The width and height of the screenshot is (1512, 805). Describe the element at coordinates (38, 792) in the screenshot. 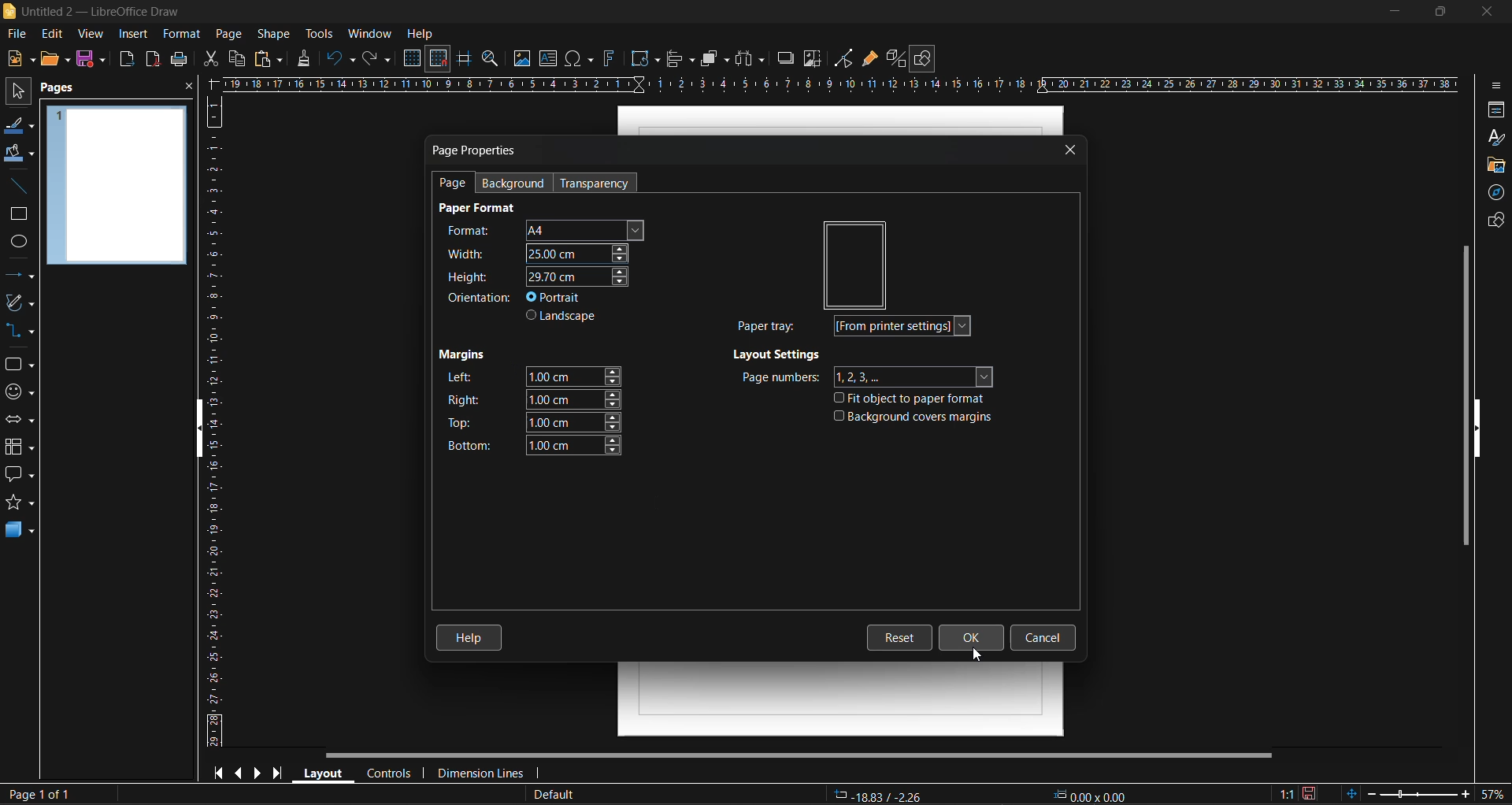

I see `page number` at that location.